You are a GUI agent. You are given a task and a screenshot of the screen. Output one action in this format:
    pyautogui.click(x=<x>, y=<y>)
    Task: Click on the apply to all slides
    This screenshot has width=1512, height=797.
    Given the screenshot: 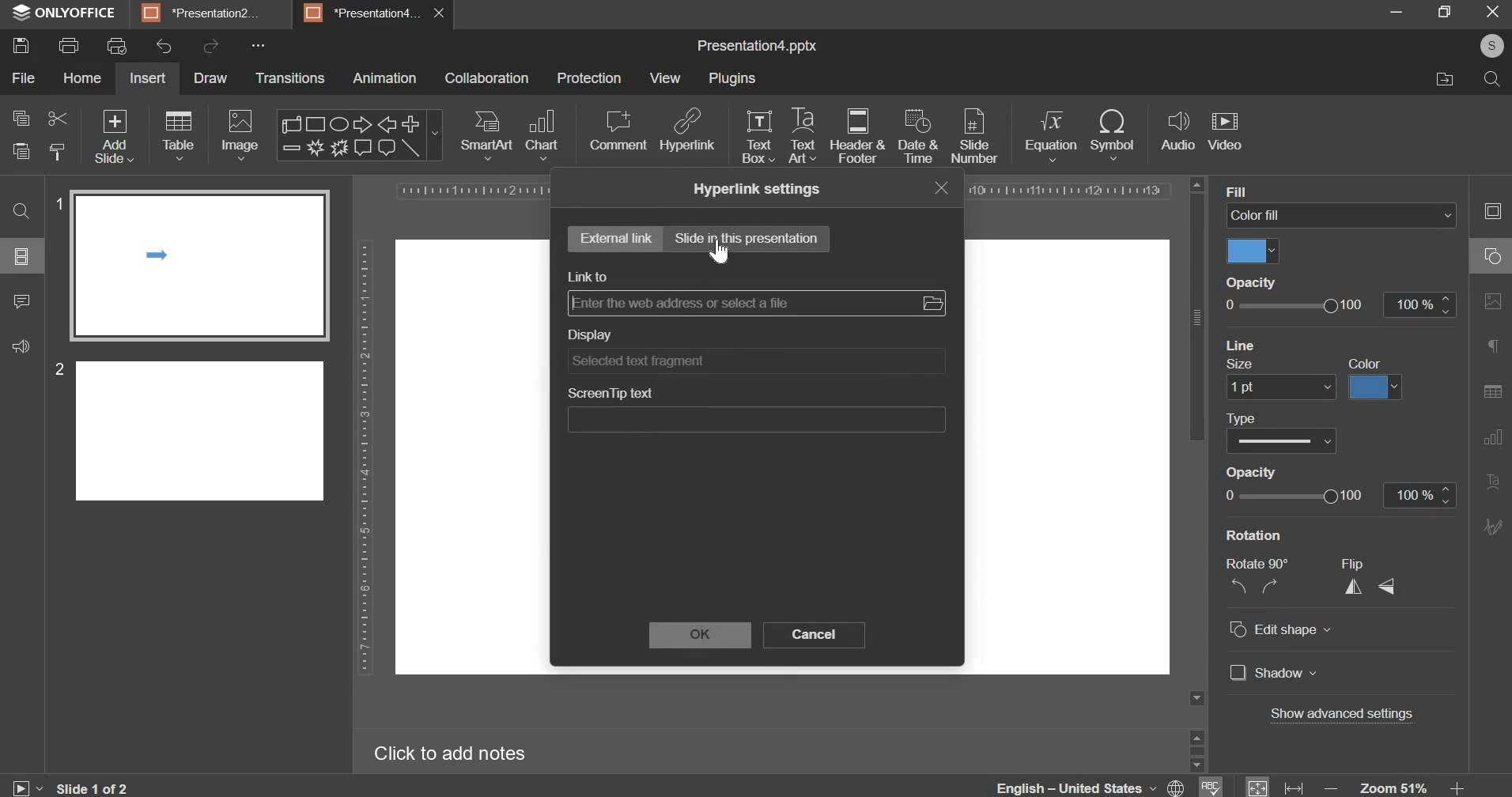 What is the action you would take?
    pyautogui.click(x=1370, y=363)
    